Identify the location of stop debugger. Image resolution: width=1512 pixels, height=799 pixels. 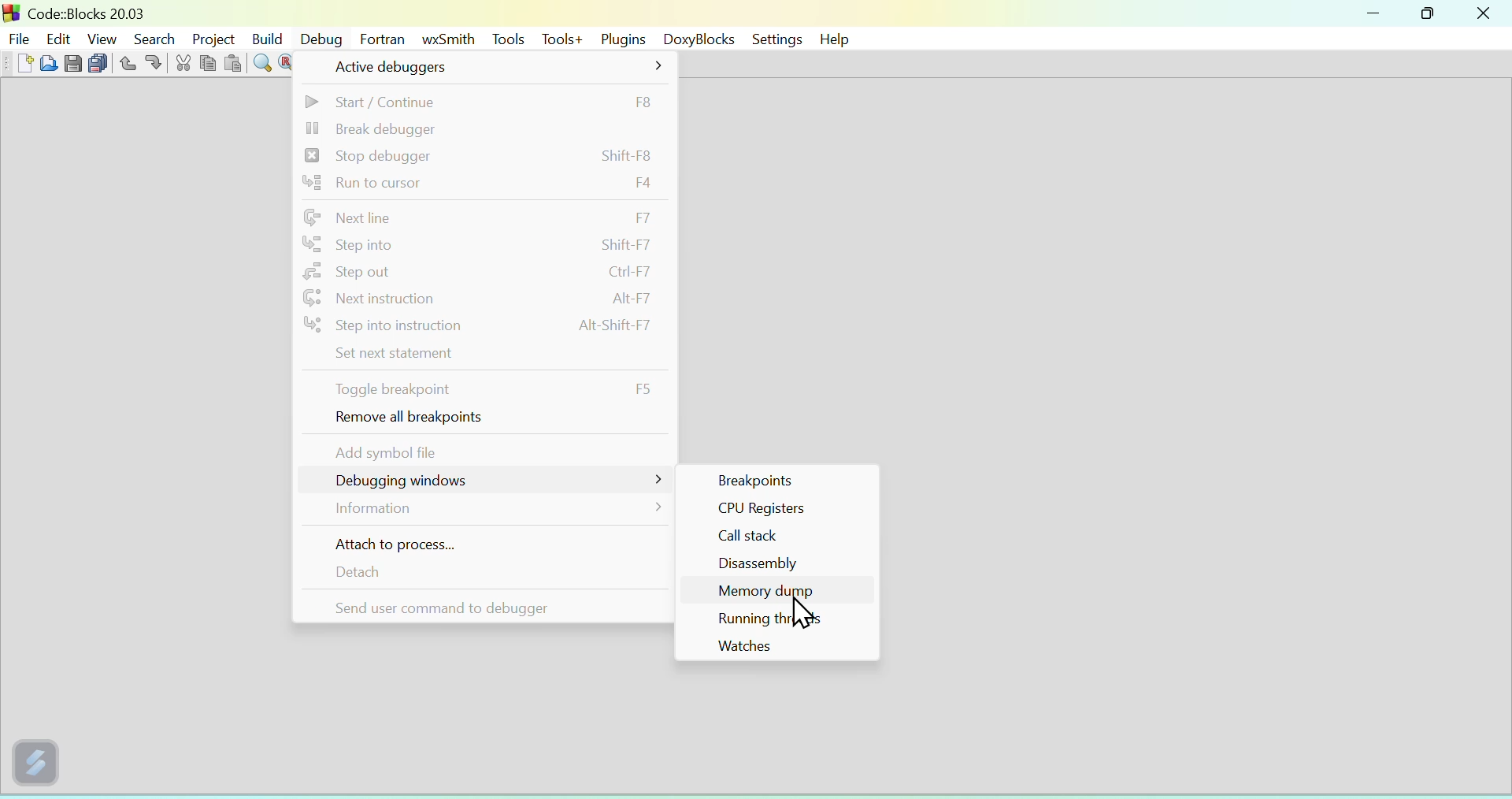
(480, 155).